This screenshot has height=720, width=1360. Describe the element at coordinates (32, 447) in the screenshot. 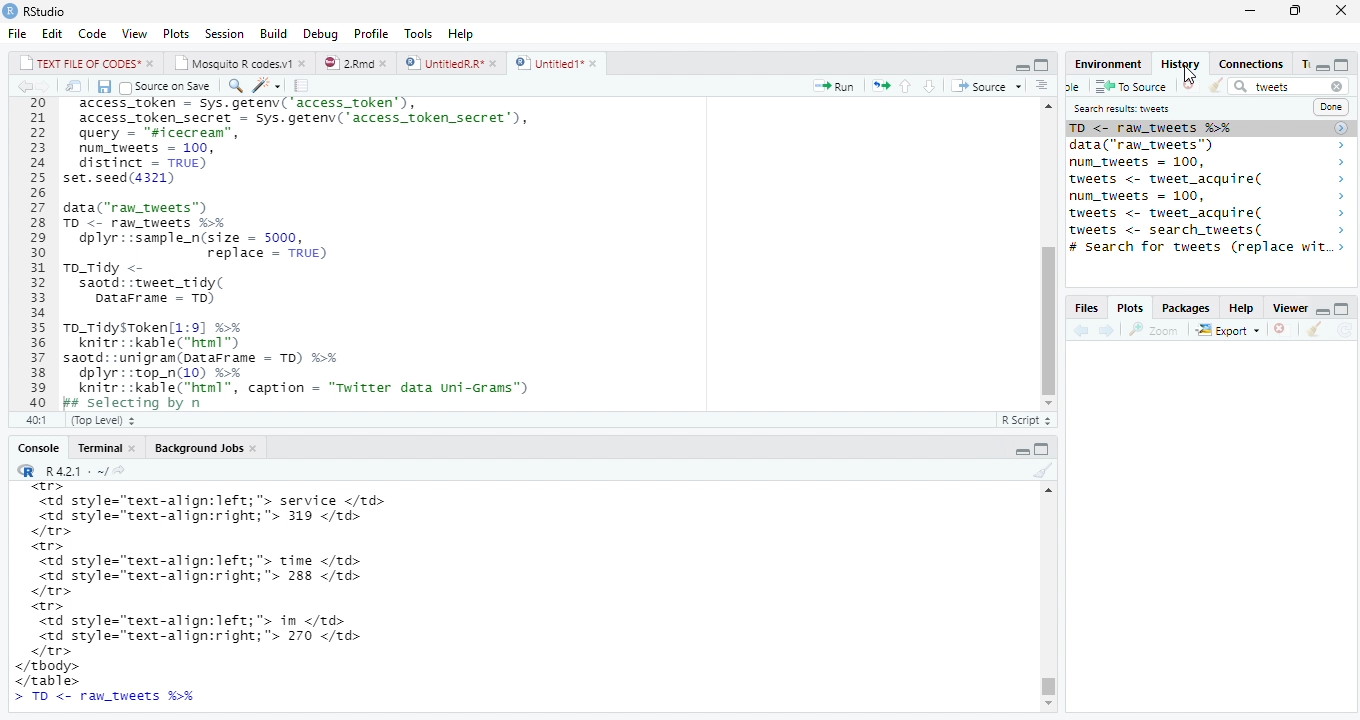

I see `Console` at that location.